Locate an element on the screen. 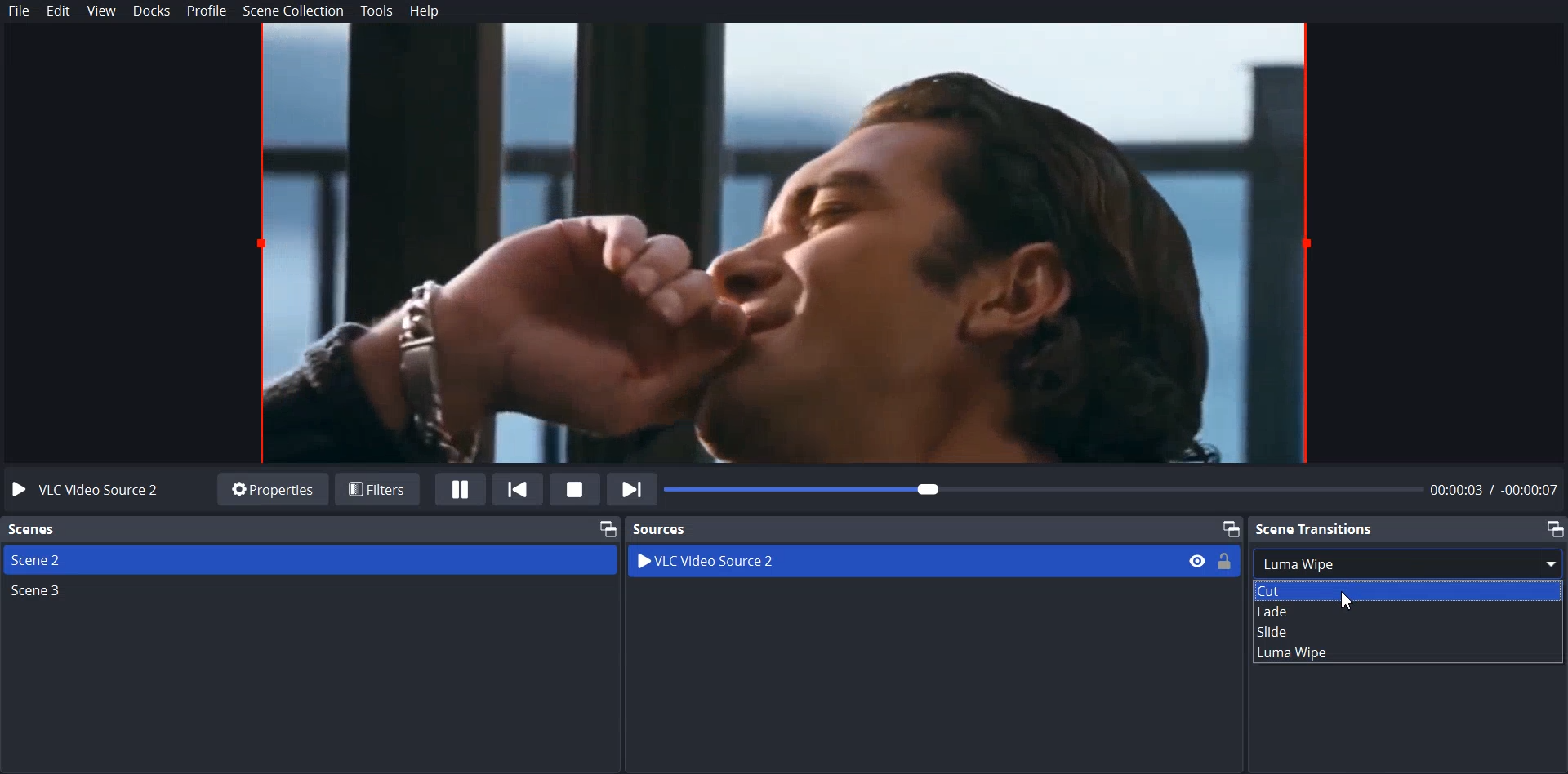 This screenshot has height=774, width=1568. Slide is located at coordinates (1407, 634).